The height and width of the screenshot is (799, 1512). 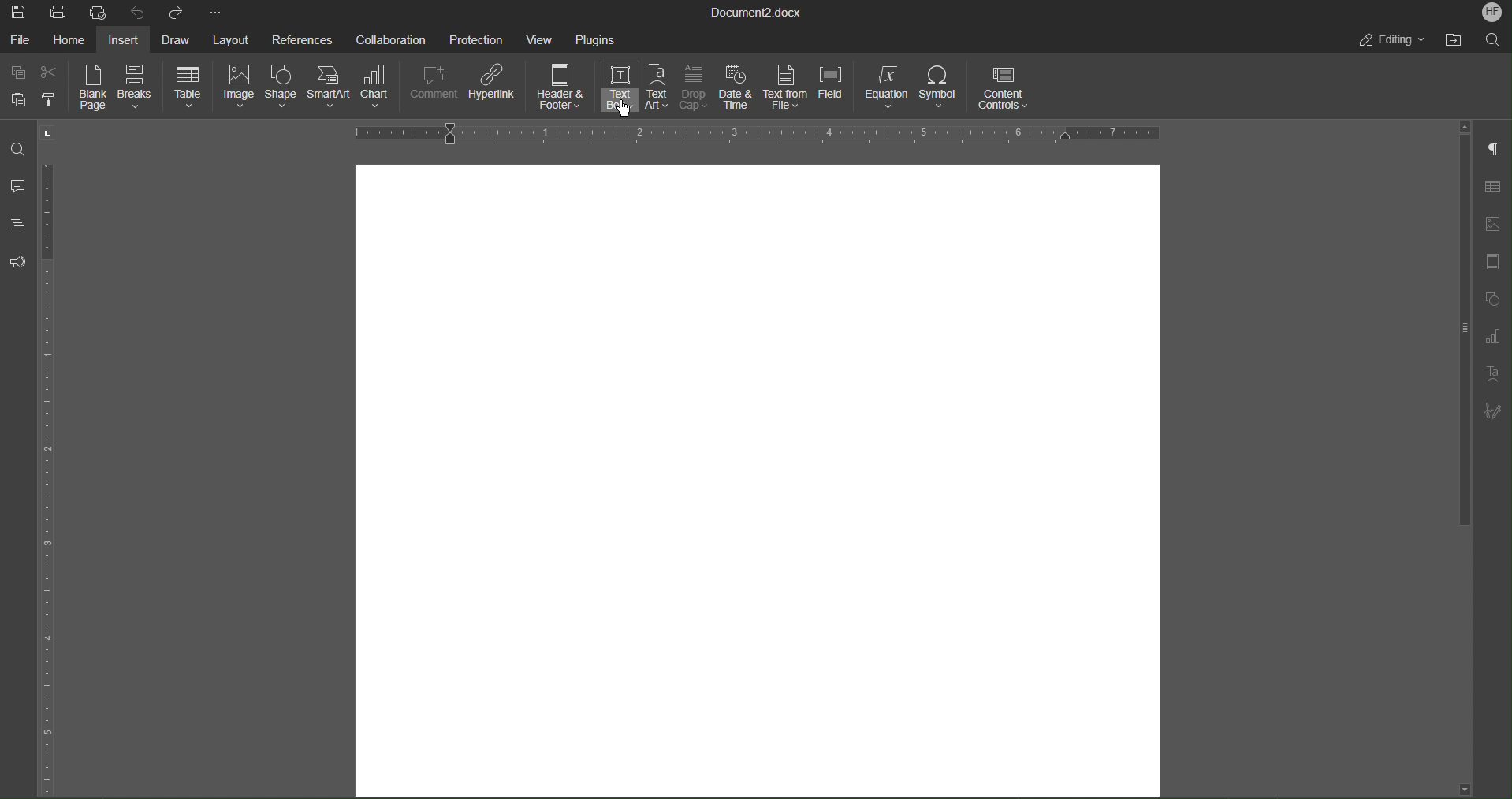 I want to click on Blank Page, so click(x=93, y=87).